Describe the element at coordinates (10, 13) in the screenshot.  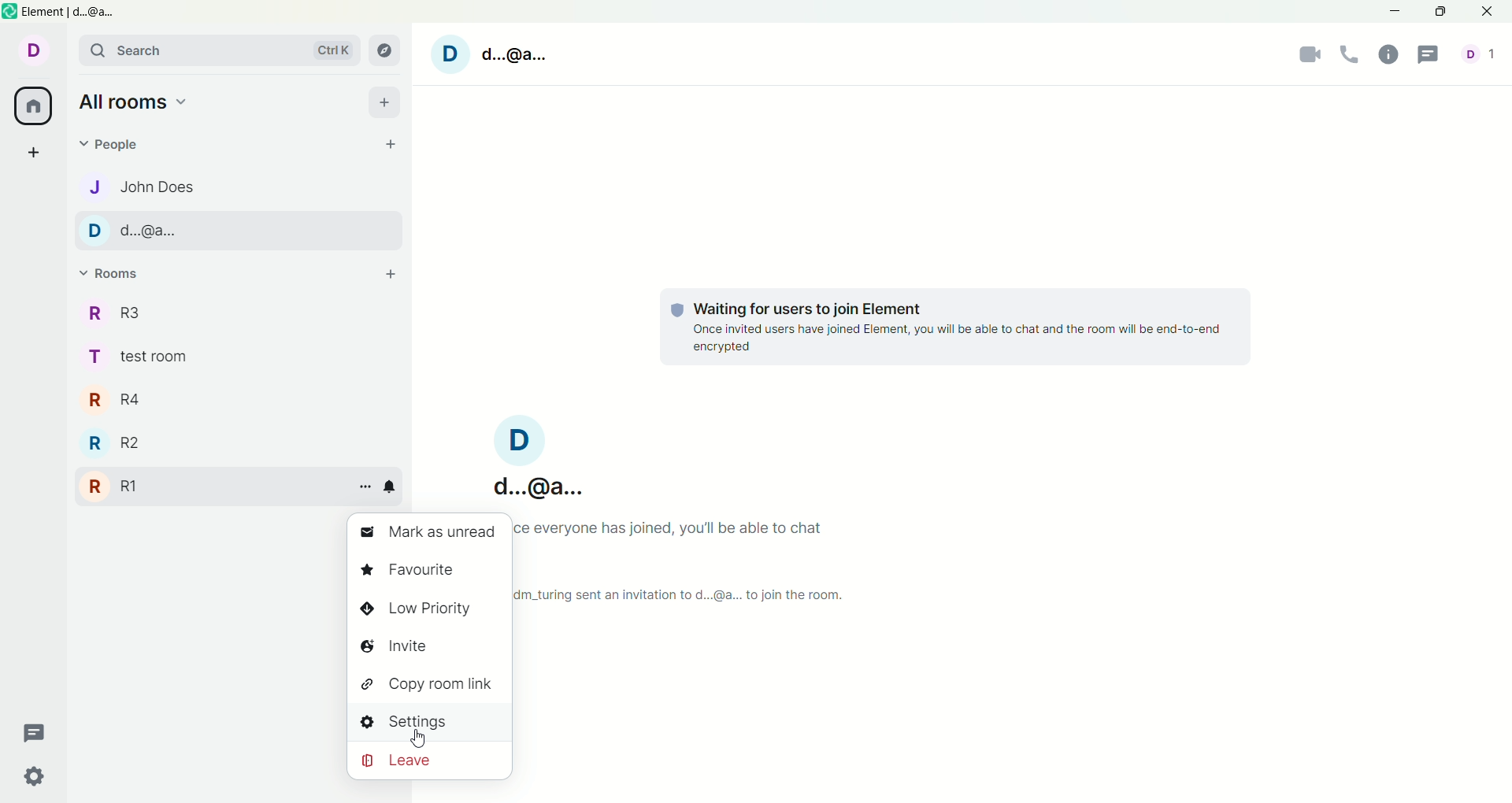
I see `element logo` at that location.